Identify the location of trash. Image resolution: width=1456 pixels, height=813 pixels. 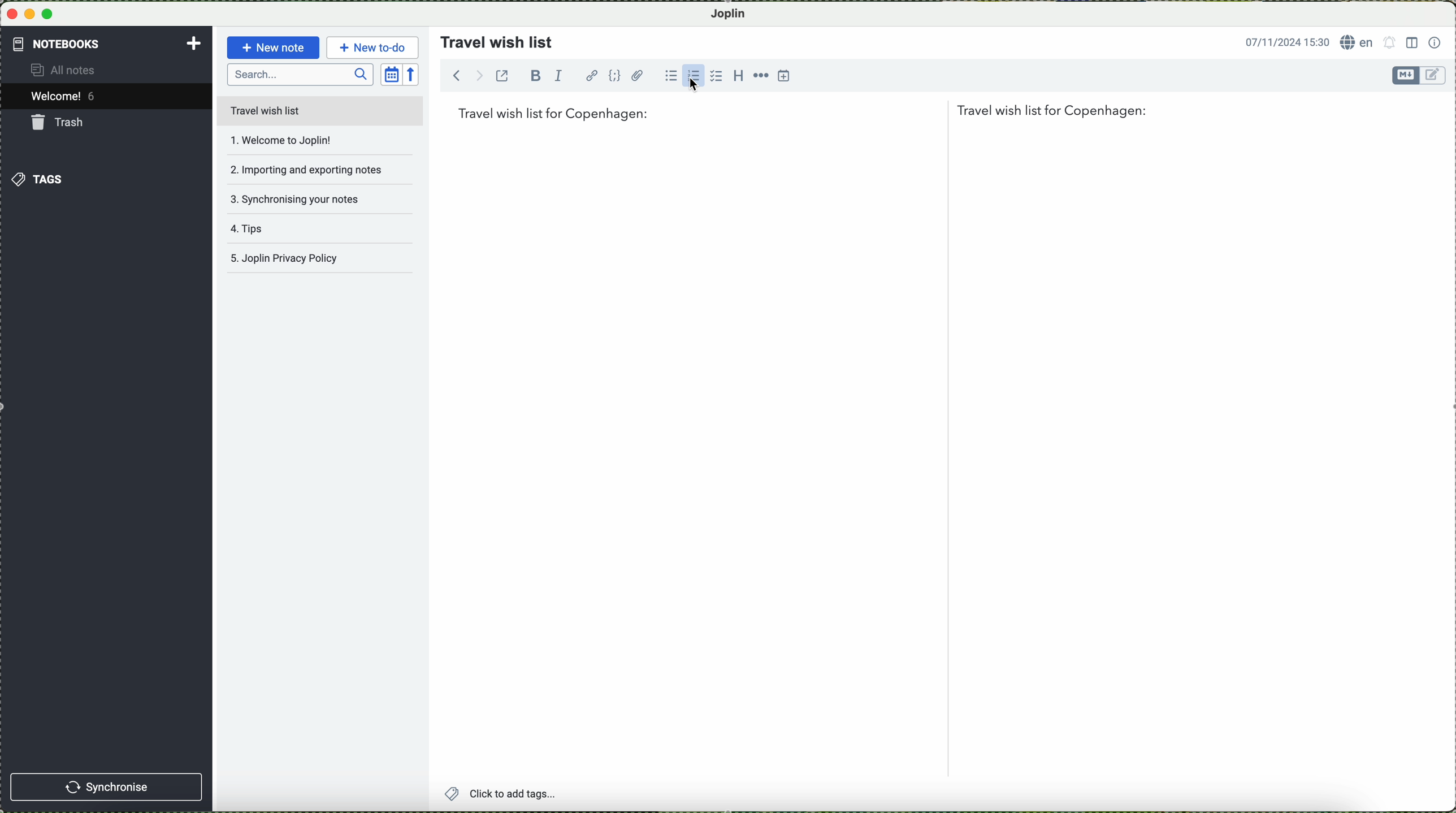
(60, 122).